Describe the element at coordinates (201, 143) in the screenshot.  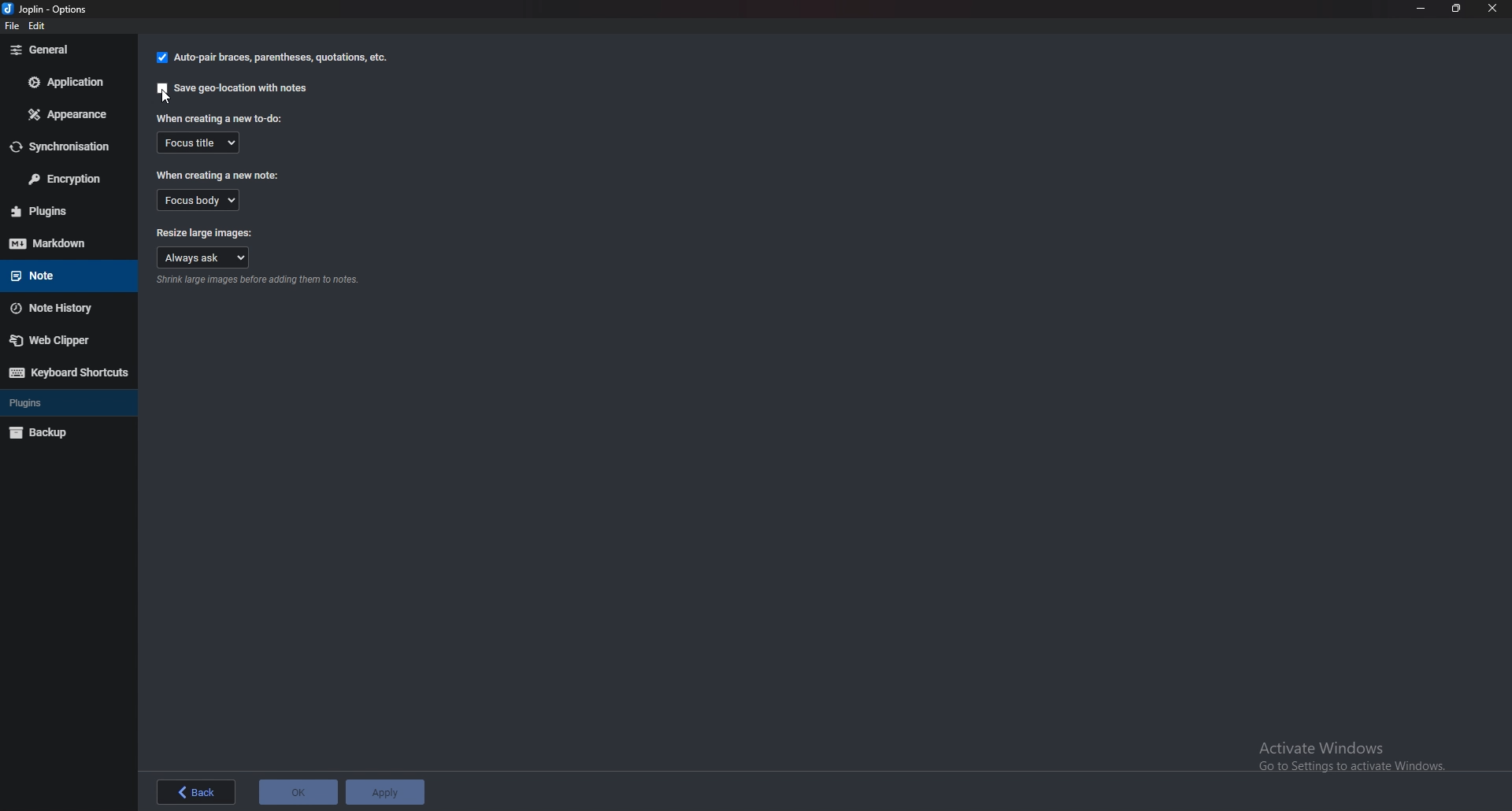
I see `Focus title` at that location.